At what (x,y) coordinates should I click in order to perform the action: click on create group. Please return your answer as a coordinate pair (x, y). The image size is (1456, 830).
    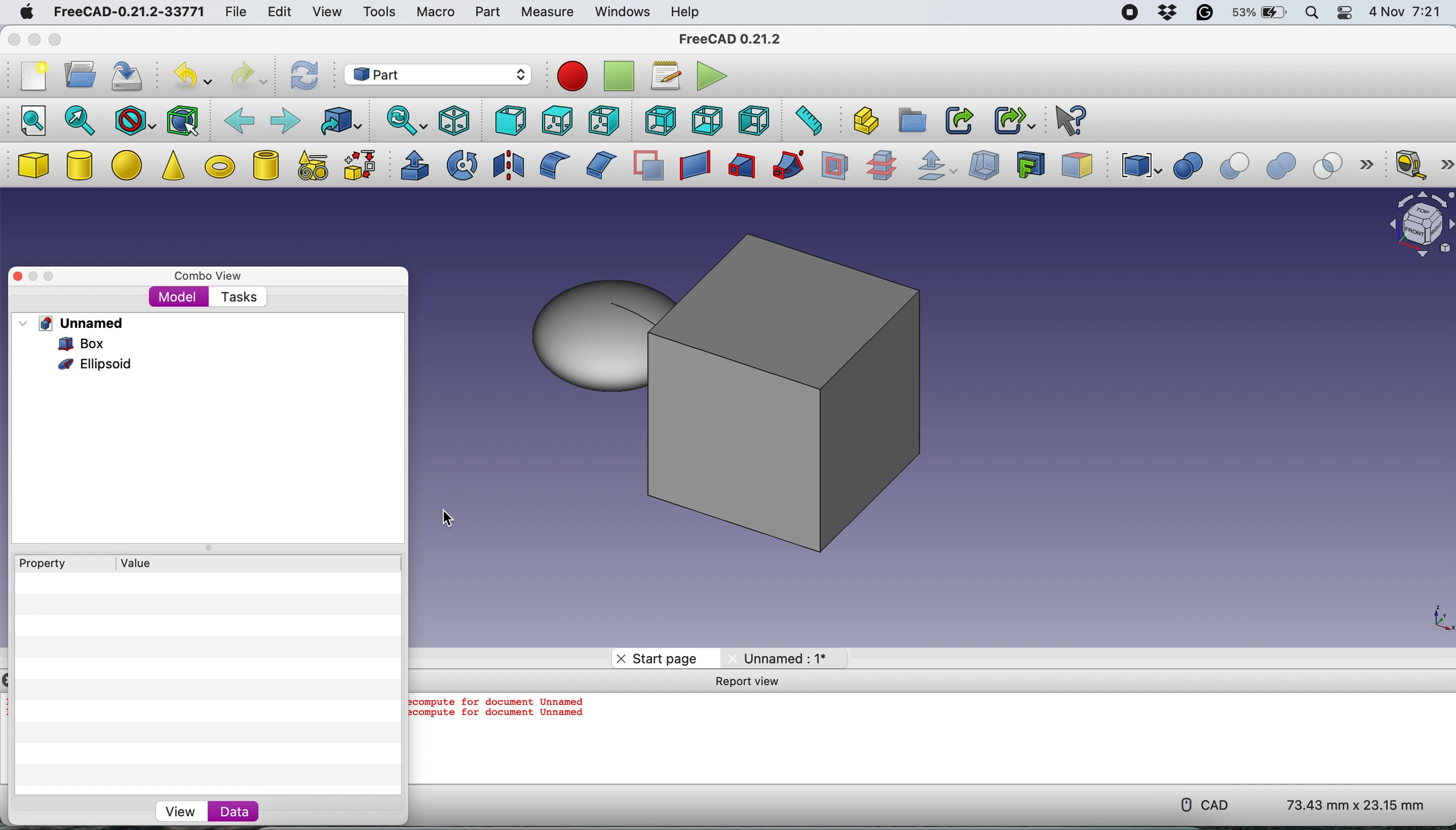
    Looking at the image, I should click on (913, 120).